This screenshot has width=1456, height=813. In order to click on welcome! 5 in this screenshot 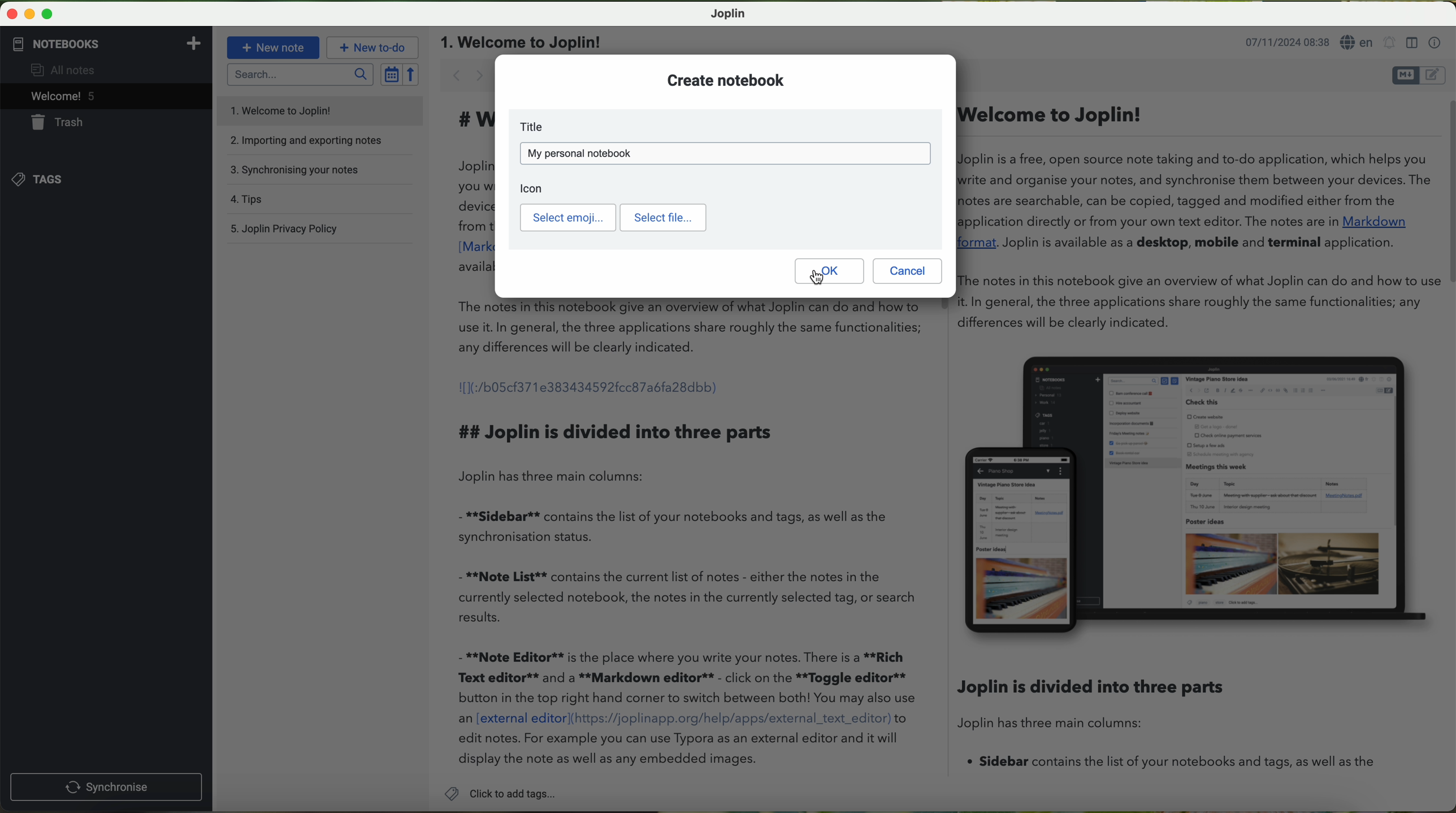, I will do `click(54, 97)`.